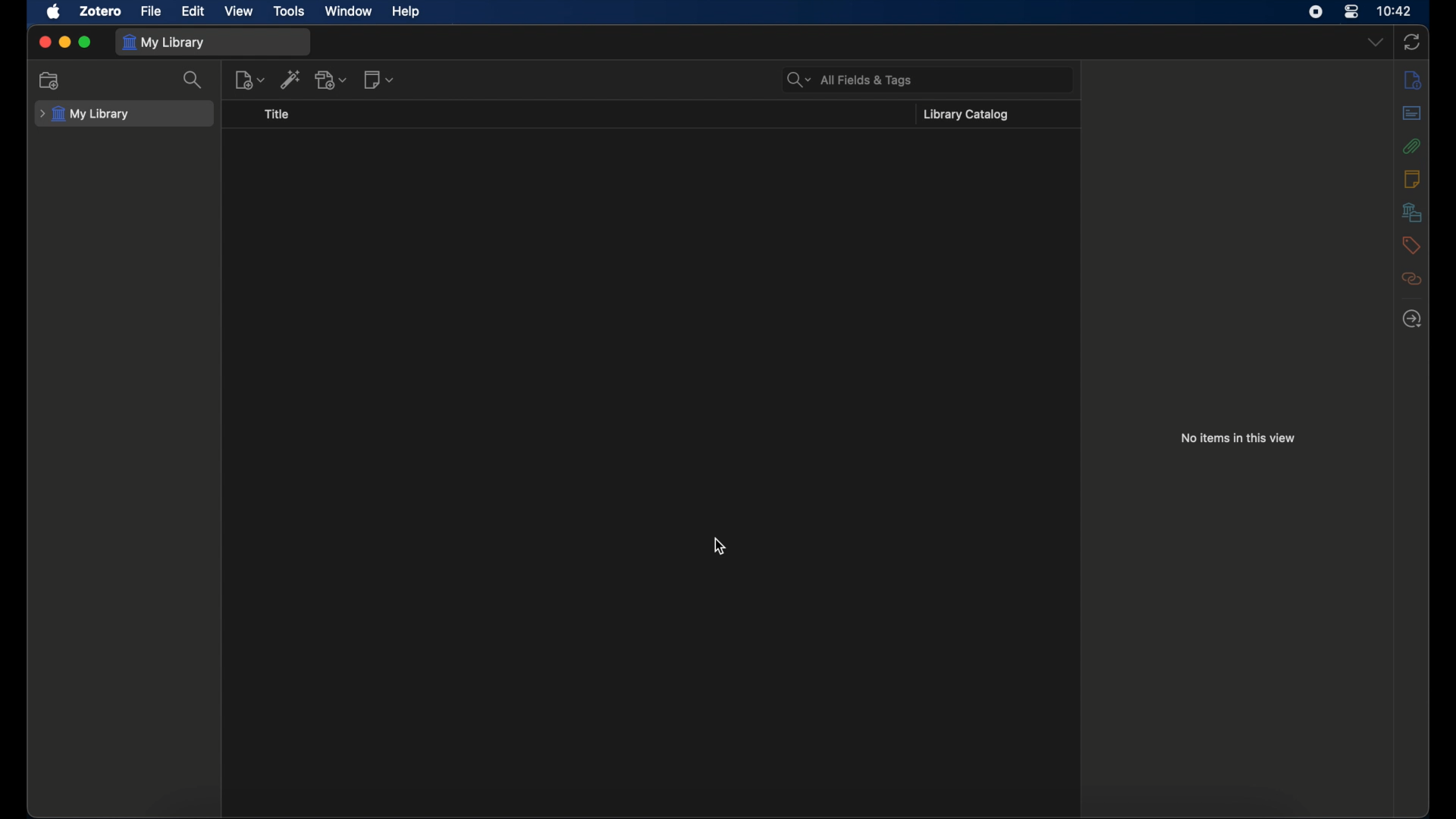 The image size is (1456, 819). I want to click on notes, so click(1412, 179).